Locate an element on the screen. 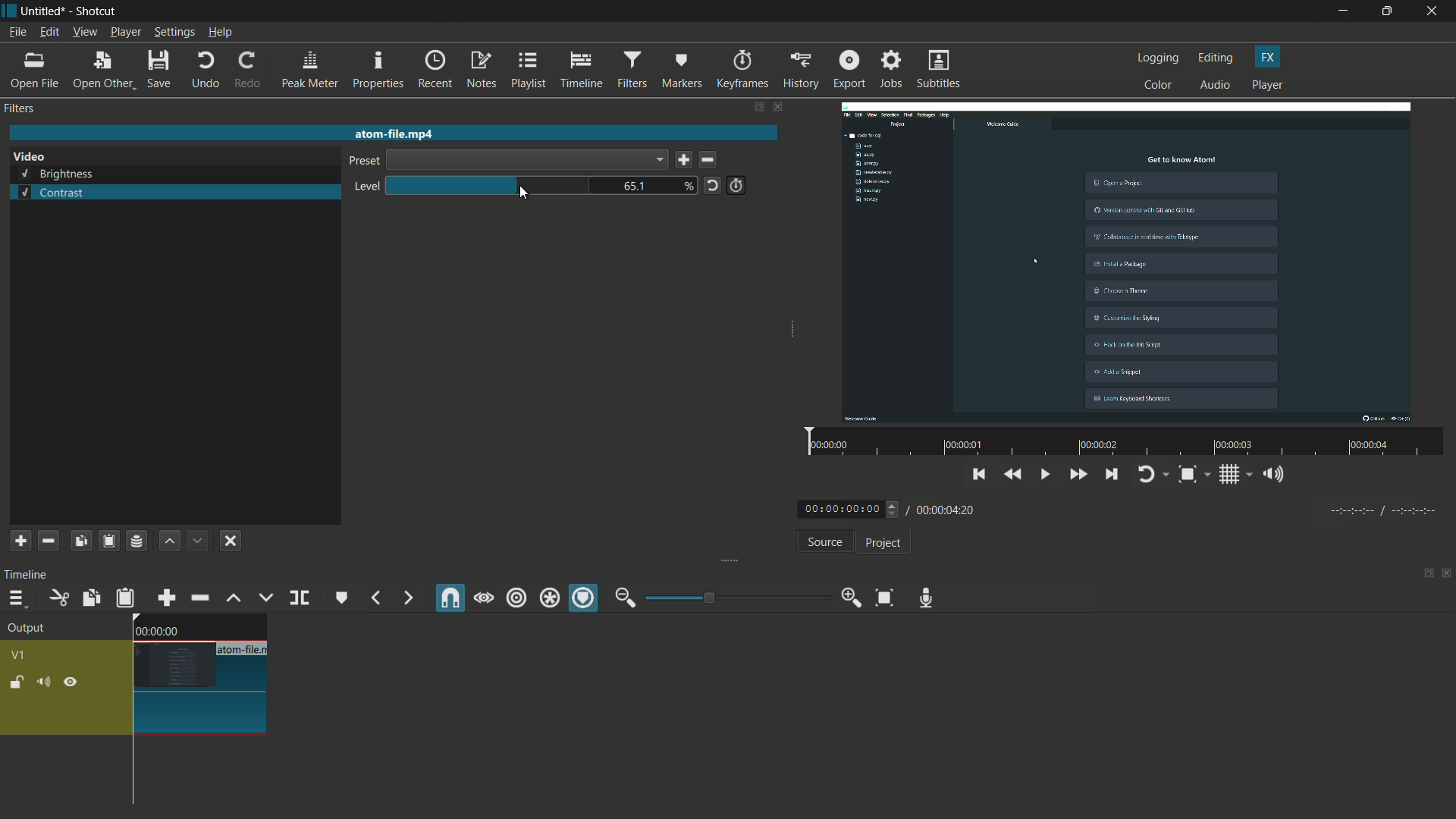 The height and width of the screenshot is (819, 1456). close panel is located at coordinates (1447, 575).